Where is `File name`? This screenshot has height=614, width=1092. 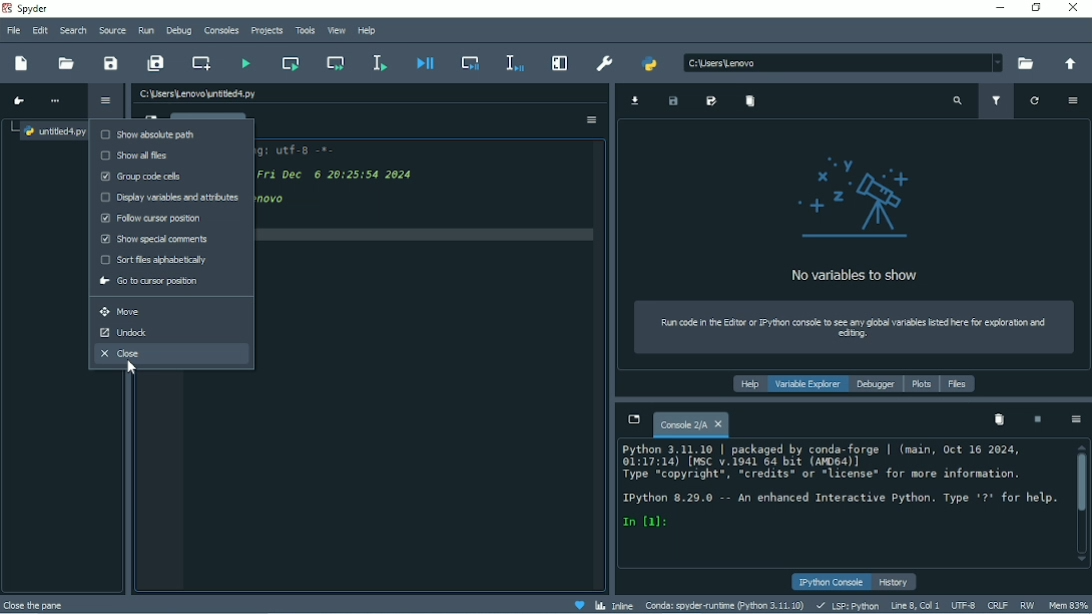
File name is located at coordinates (199, 92).